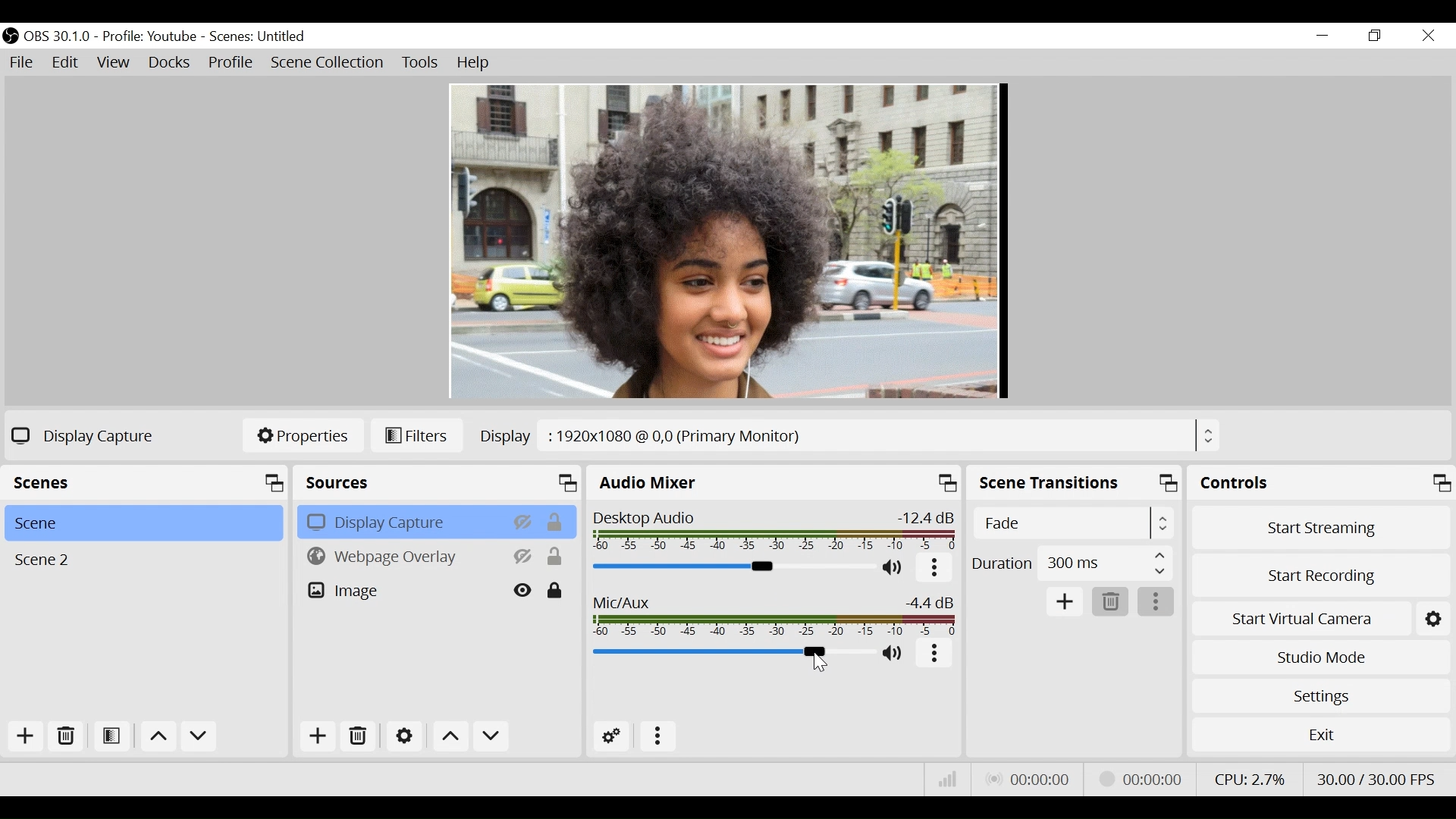 Image resolution: width=1456 pixels, height=819 pixels. Describe the element at coordinates (555, 591) in the screenshot. I see `(un)lock` at that location.